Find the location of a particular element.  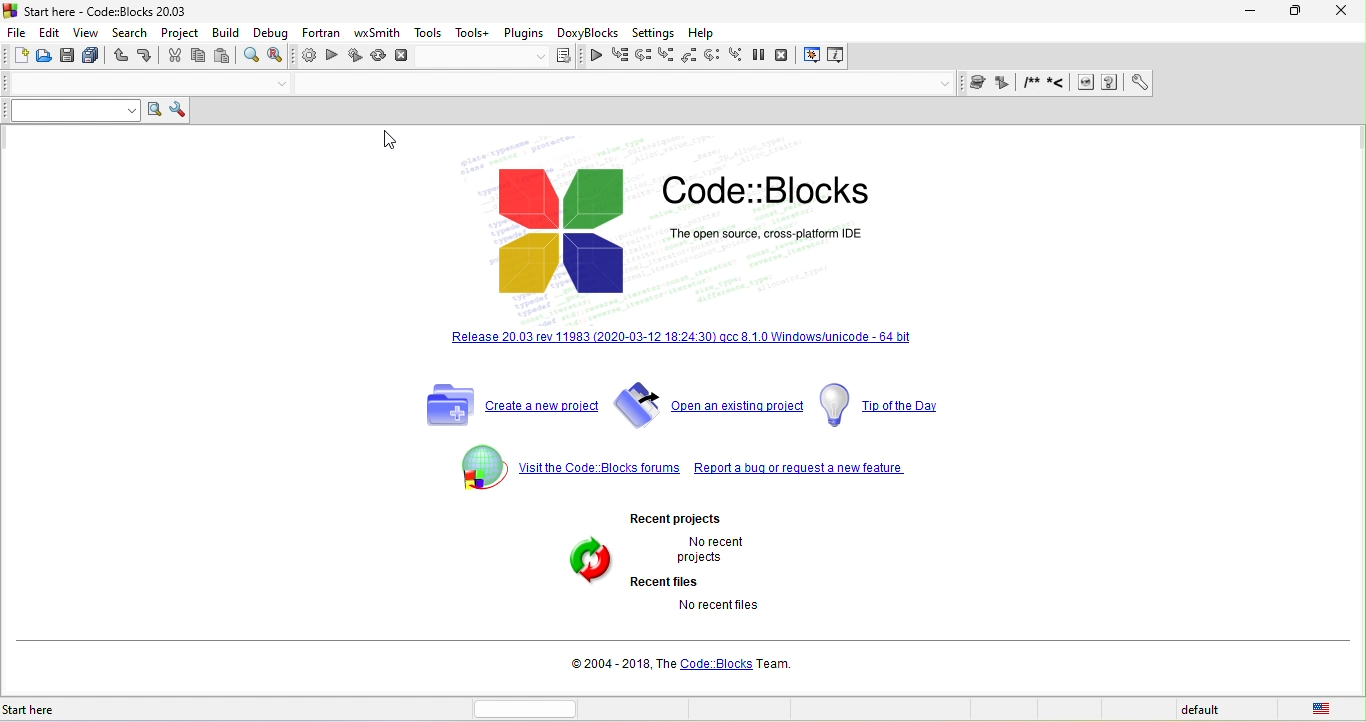

break debugger is located at coordinates (759, 56).